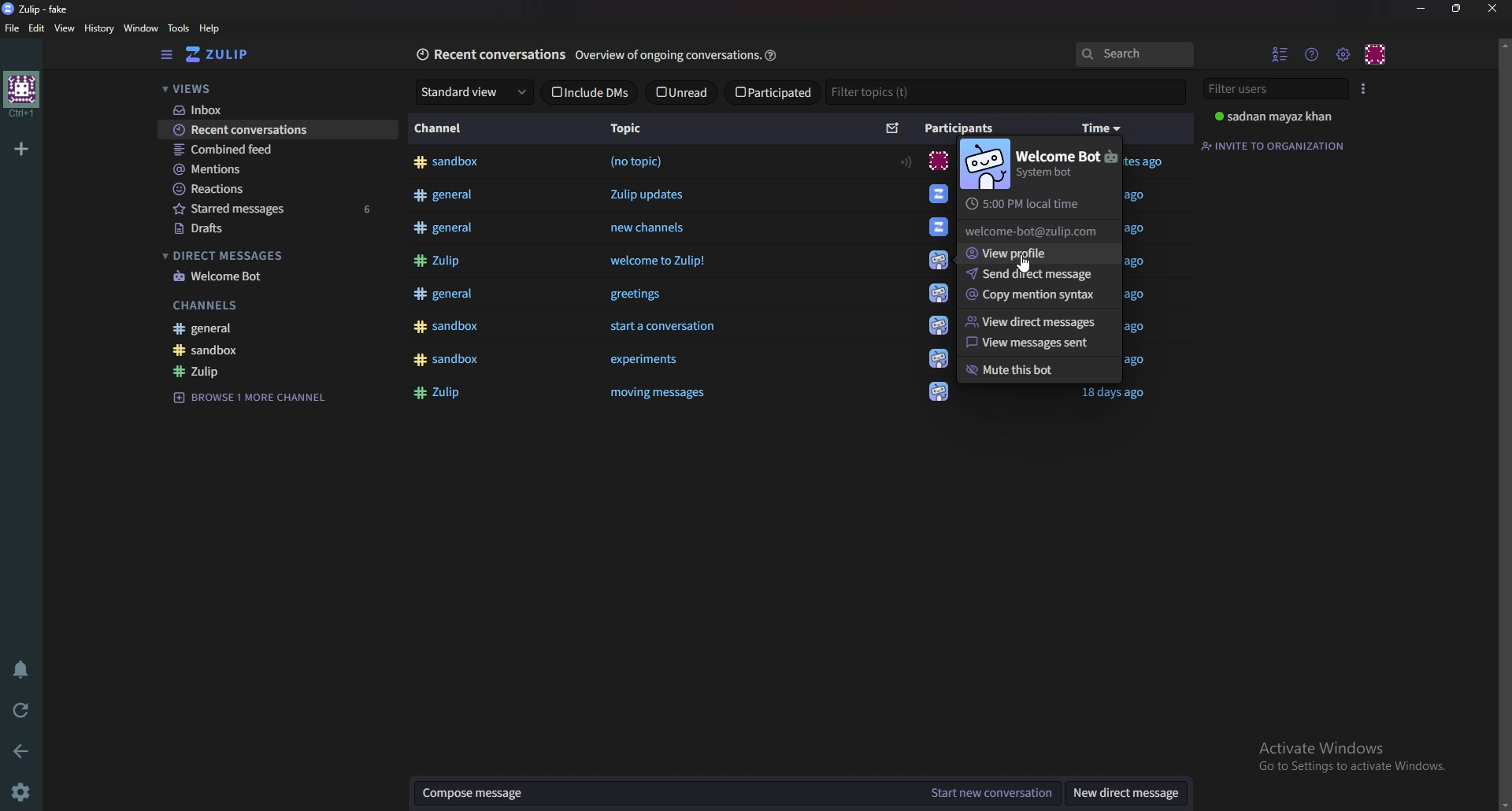 This screenshot has height=811, width=1512. I want to click on Enable do not disturb, so click(22, 669).